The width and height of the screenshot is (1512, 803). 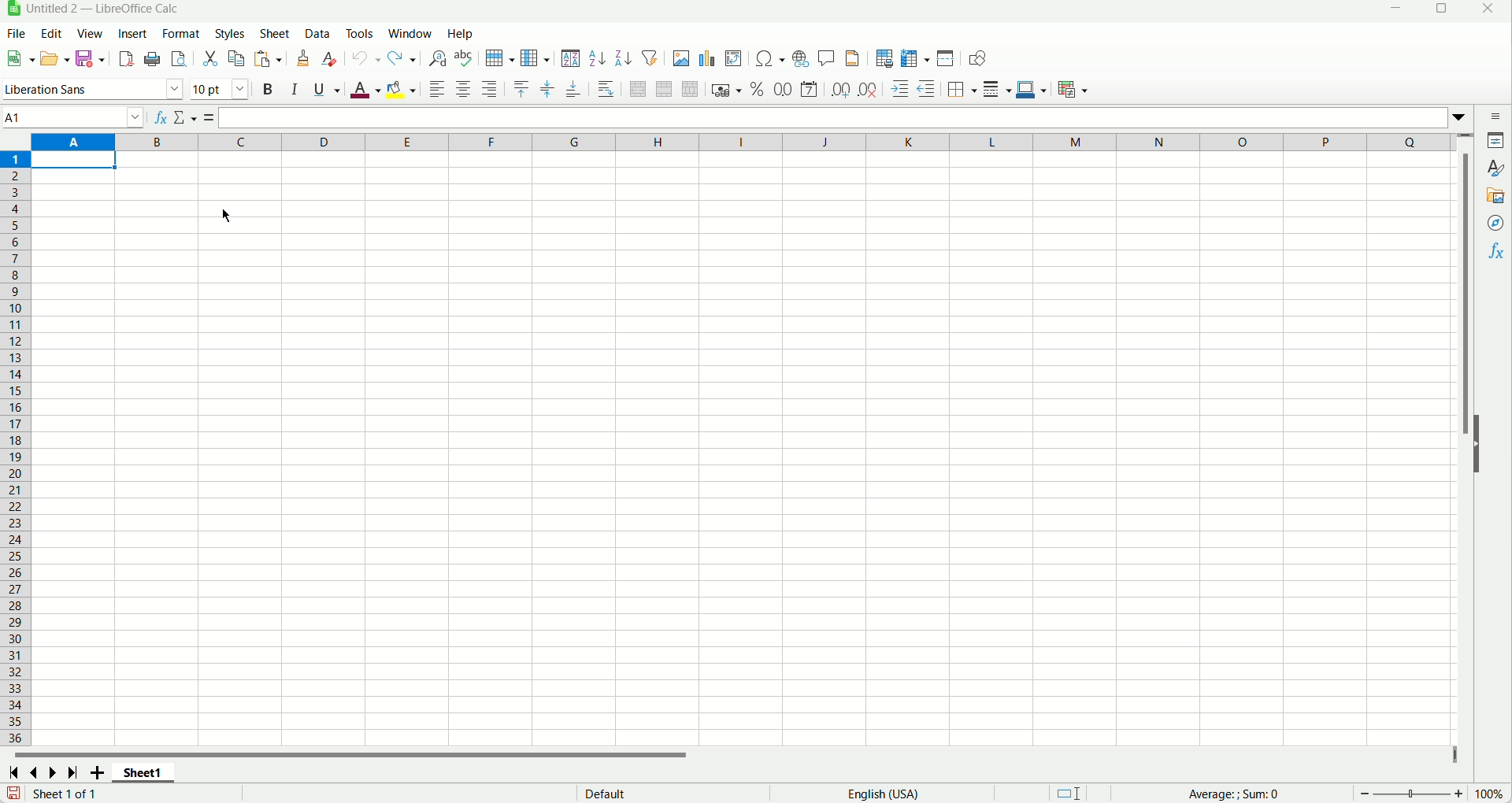 What do you see at coordinates (731, 757) in the screenshot?
I see `Horizontal scroll bar` at bounding box center [731, 757].